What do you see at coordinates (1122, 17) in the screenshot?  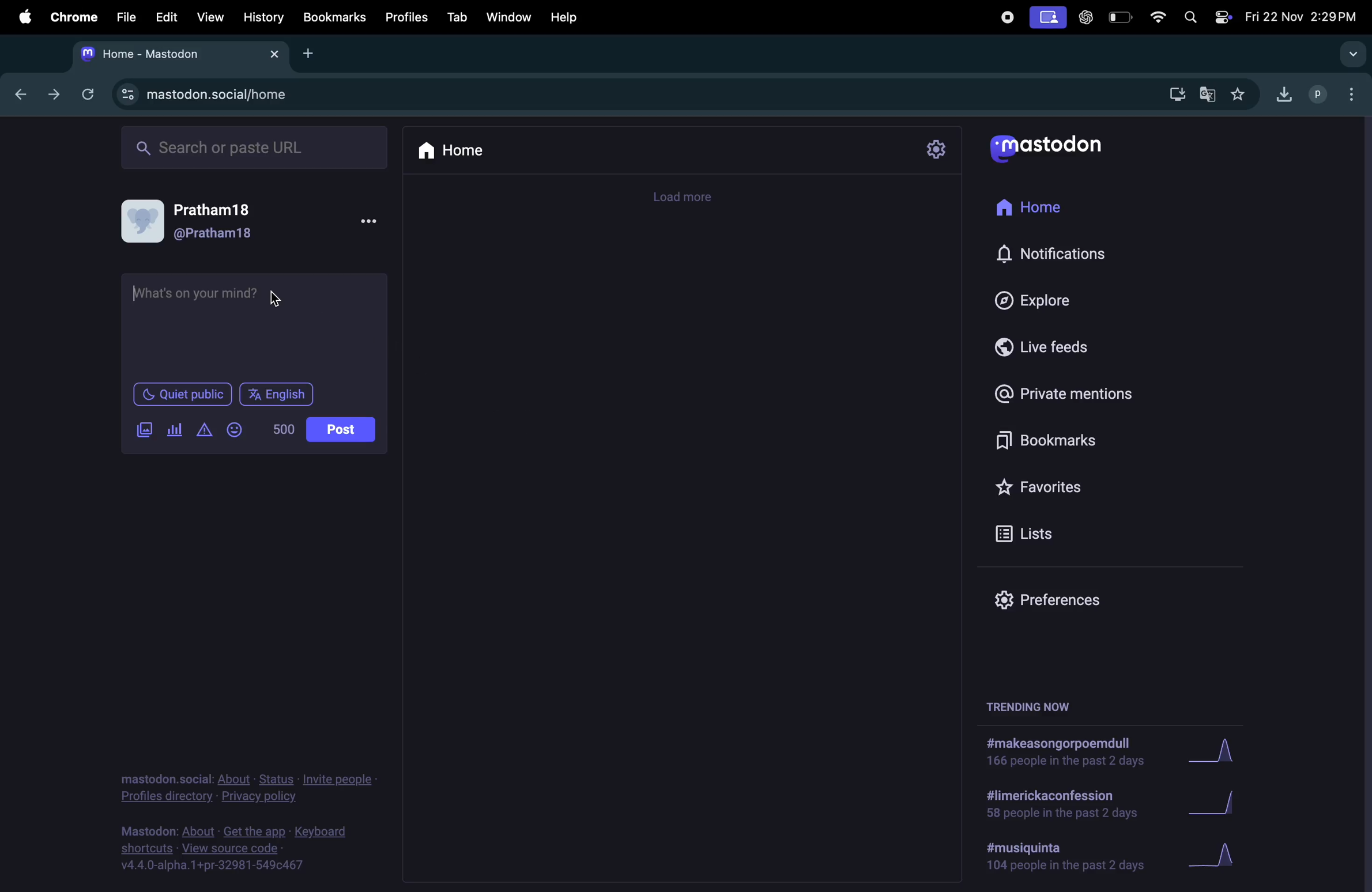 I see `battery` at bounding box center [1122, 17].